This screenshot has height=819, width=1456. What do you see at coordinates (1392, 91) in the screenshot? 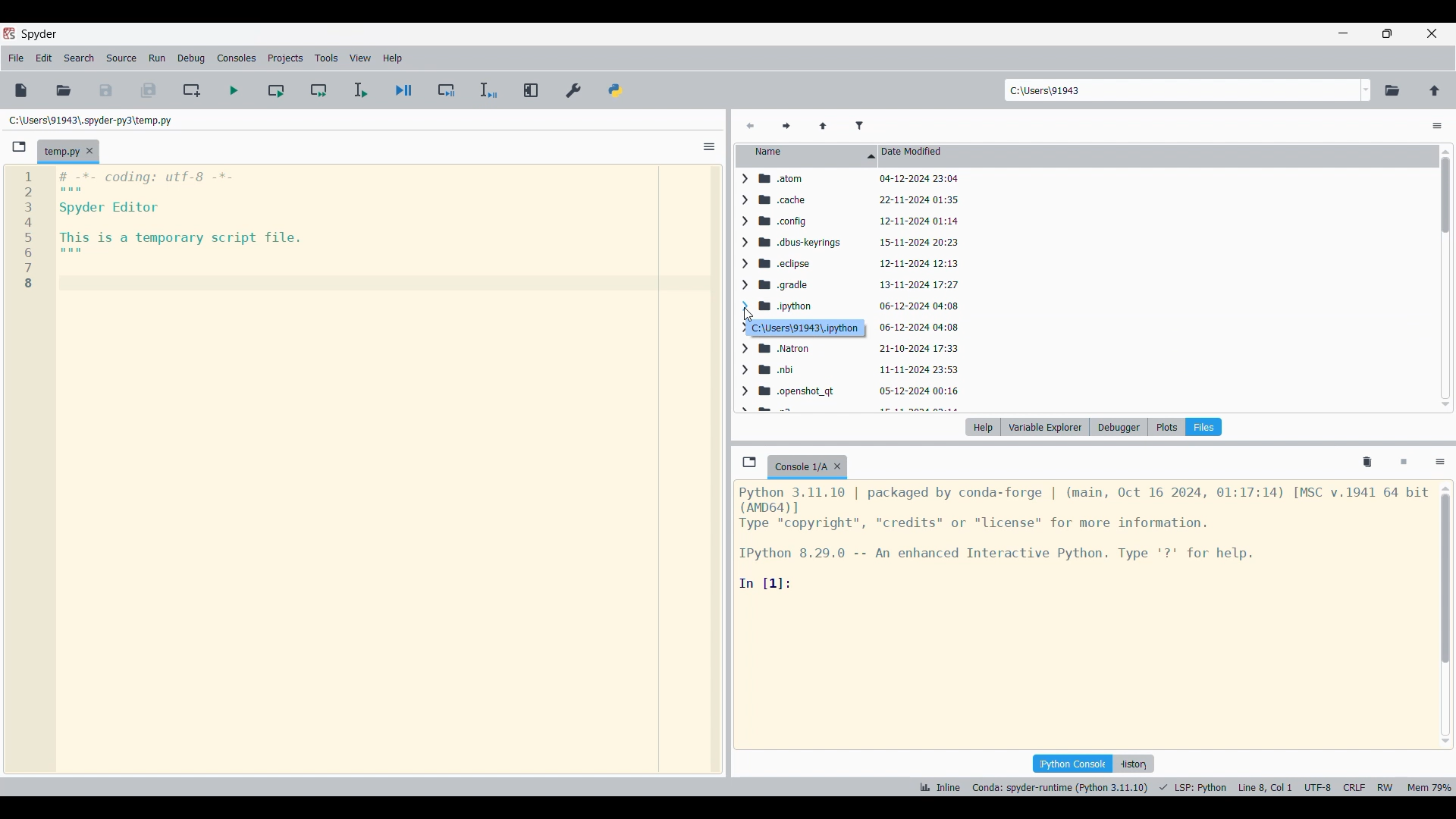
I see `Browse working directory` at bounding box center [1392, 91].